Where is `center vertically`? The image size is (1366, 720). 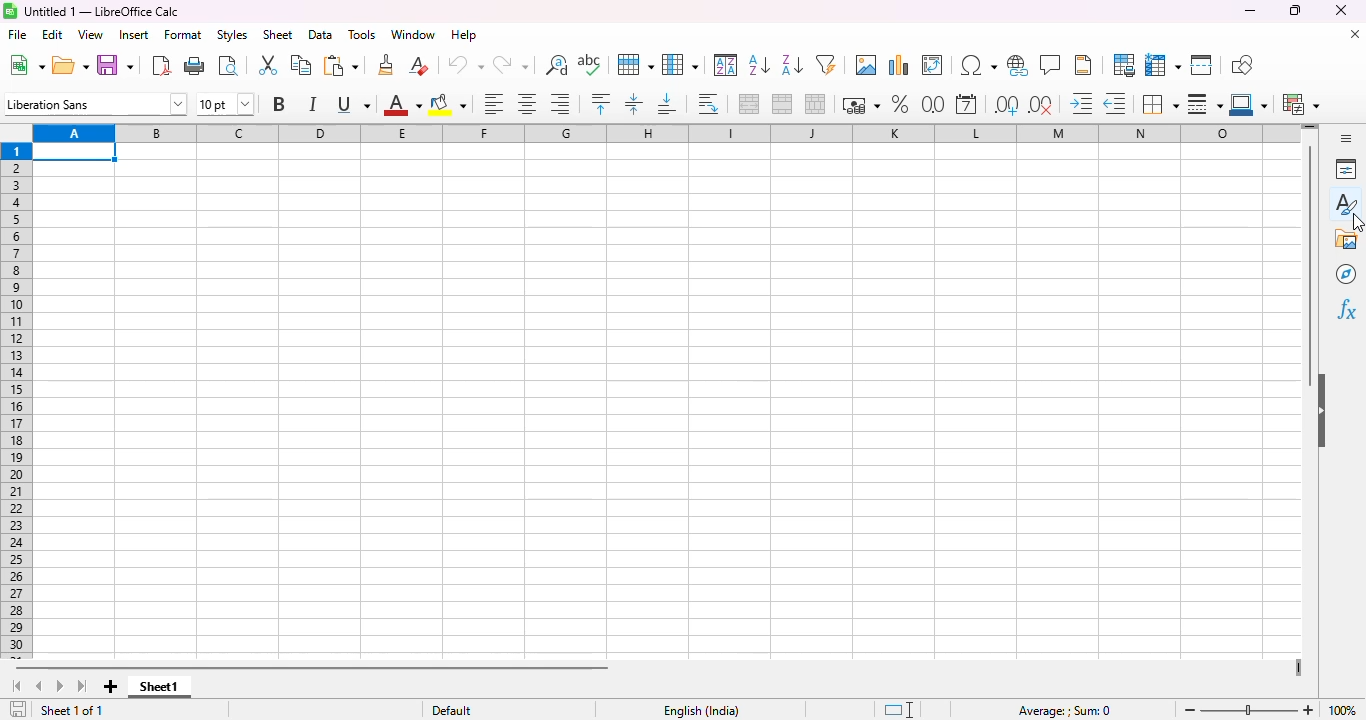 center vertically is located at coordinates (634, 104).